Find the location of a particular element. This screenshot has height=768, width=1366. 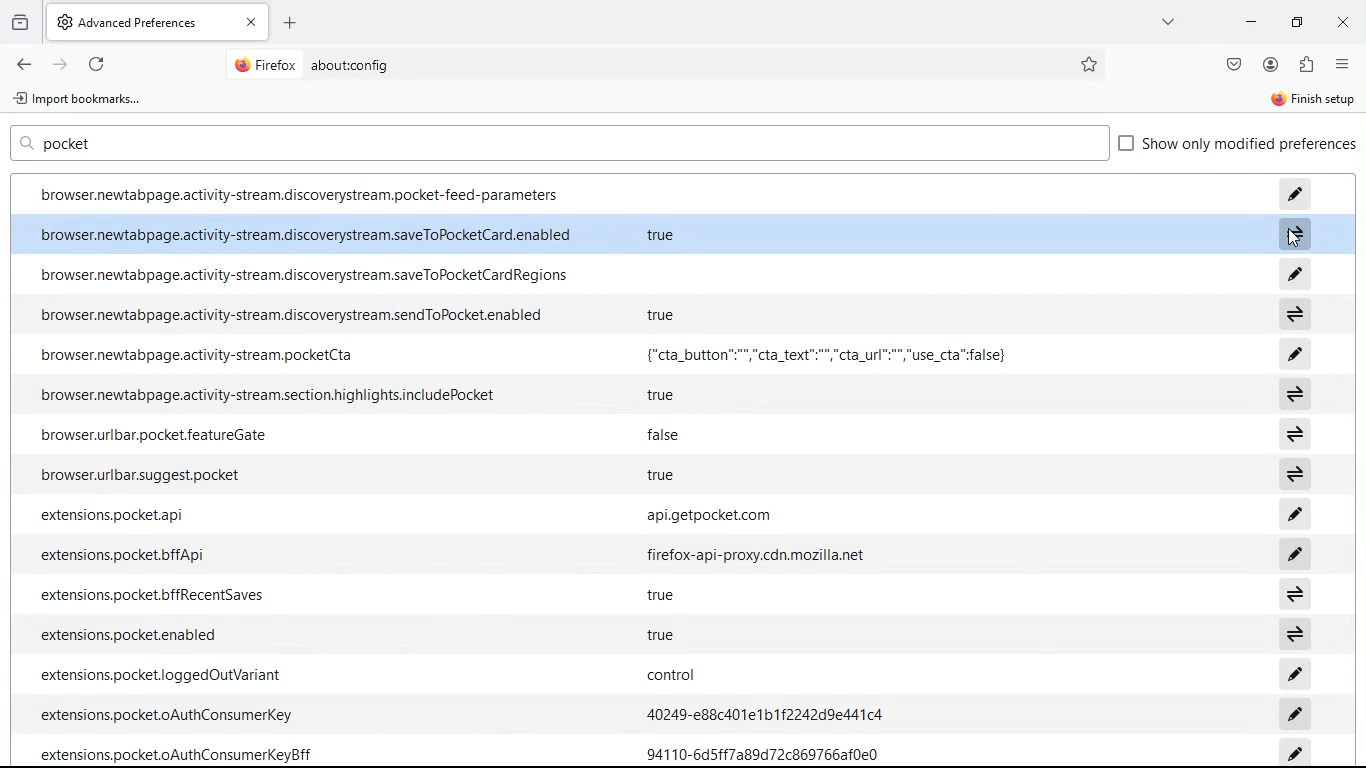

switch is located at coordinates (1295, 433).